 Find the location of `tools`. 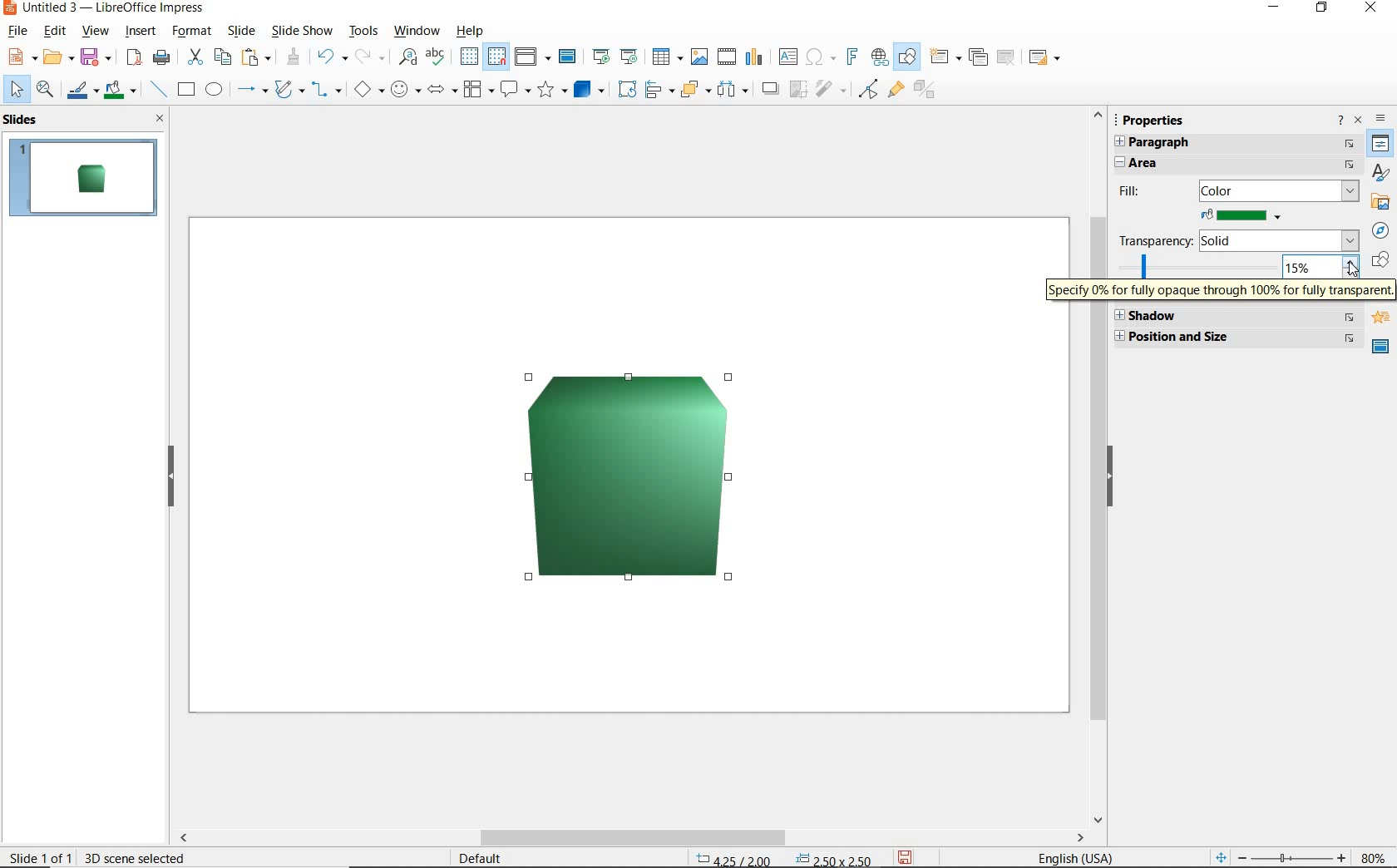

tools is located at coordinates (364, 31).